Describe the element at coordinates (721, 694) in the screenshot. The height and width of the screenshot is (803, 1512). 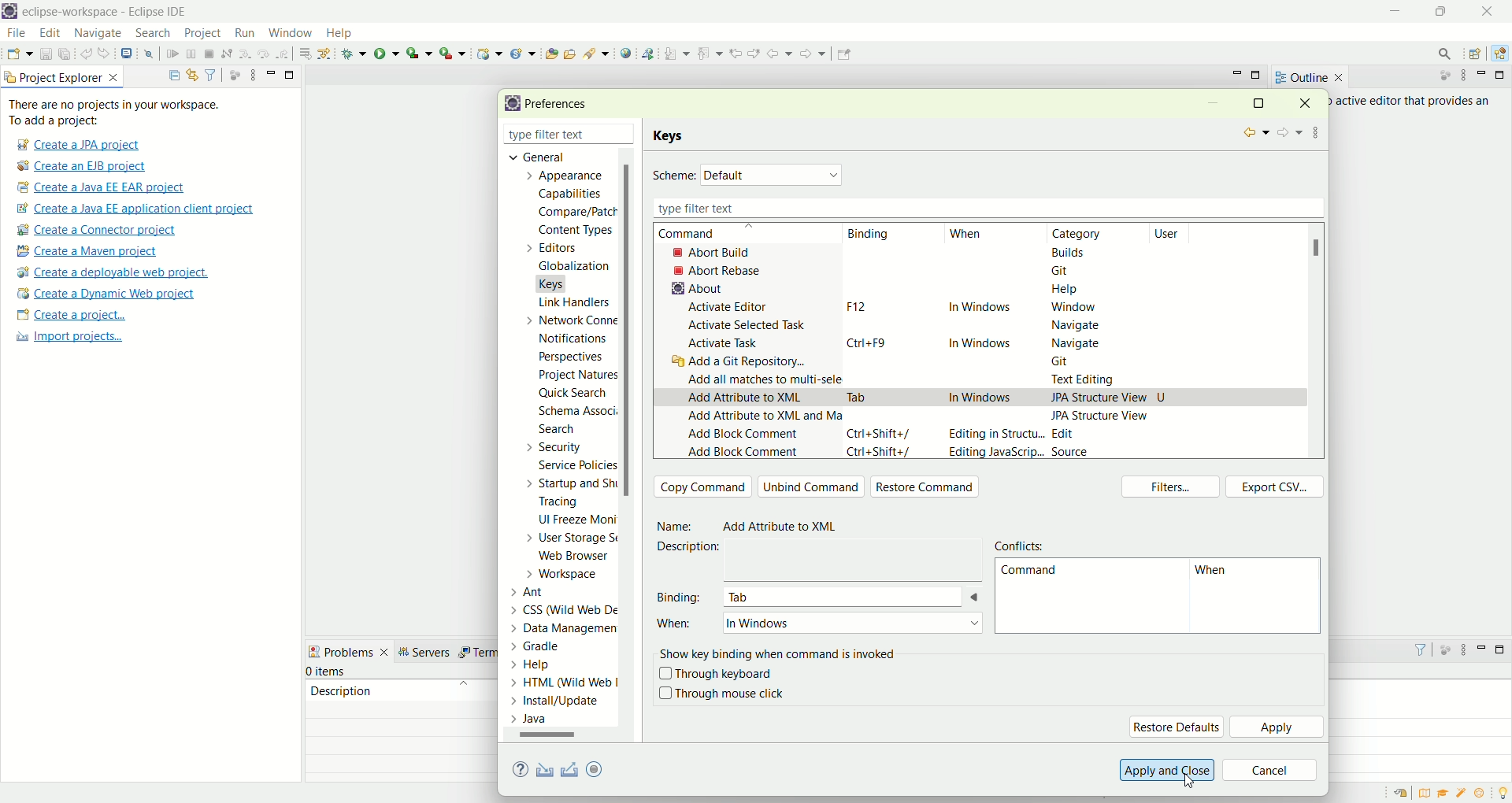
I see `through mouse click` at that location.